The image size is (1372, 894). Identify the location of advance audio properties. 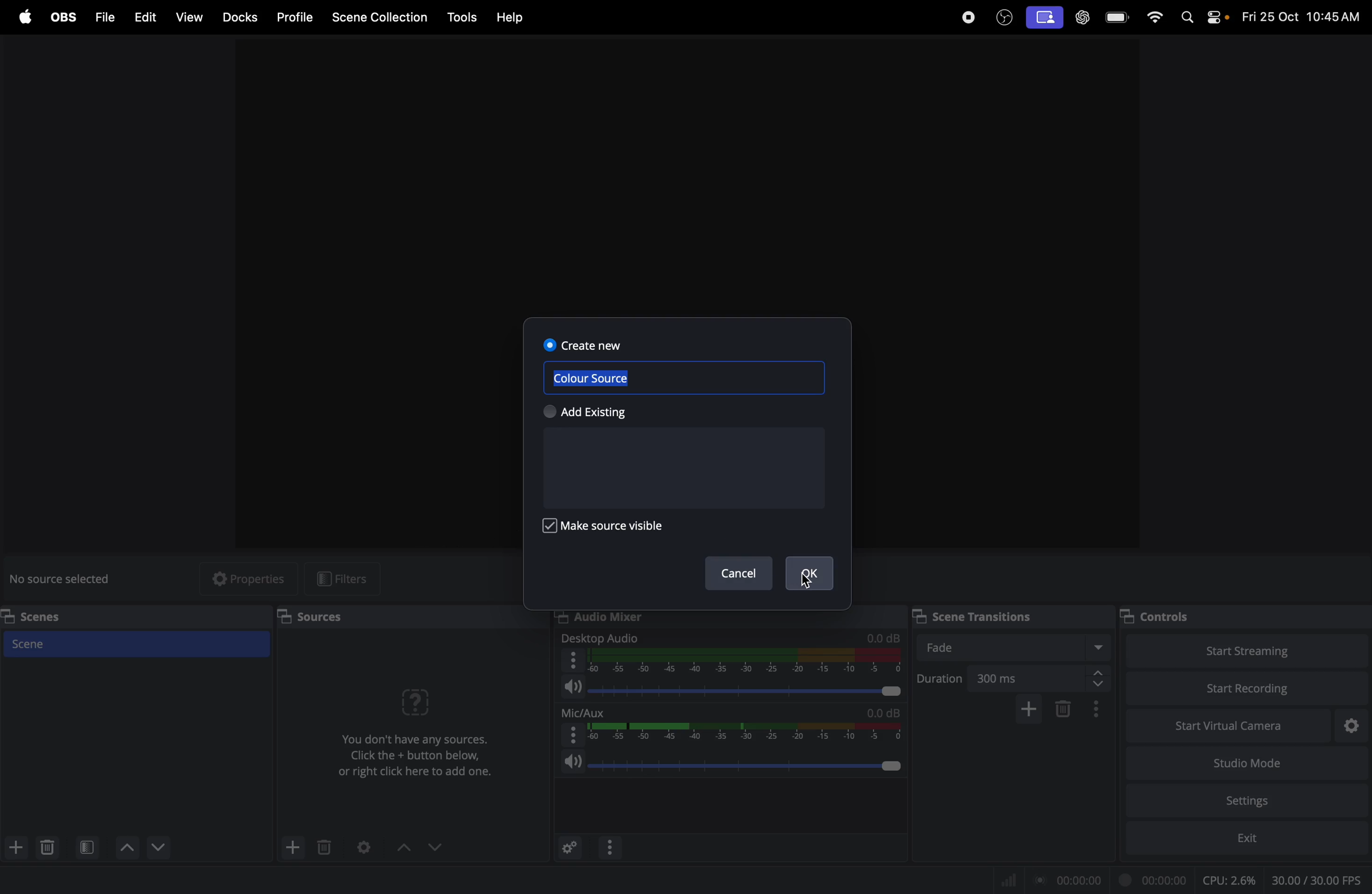
(571, 848).